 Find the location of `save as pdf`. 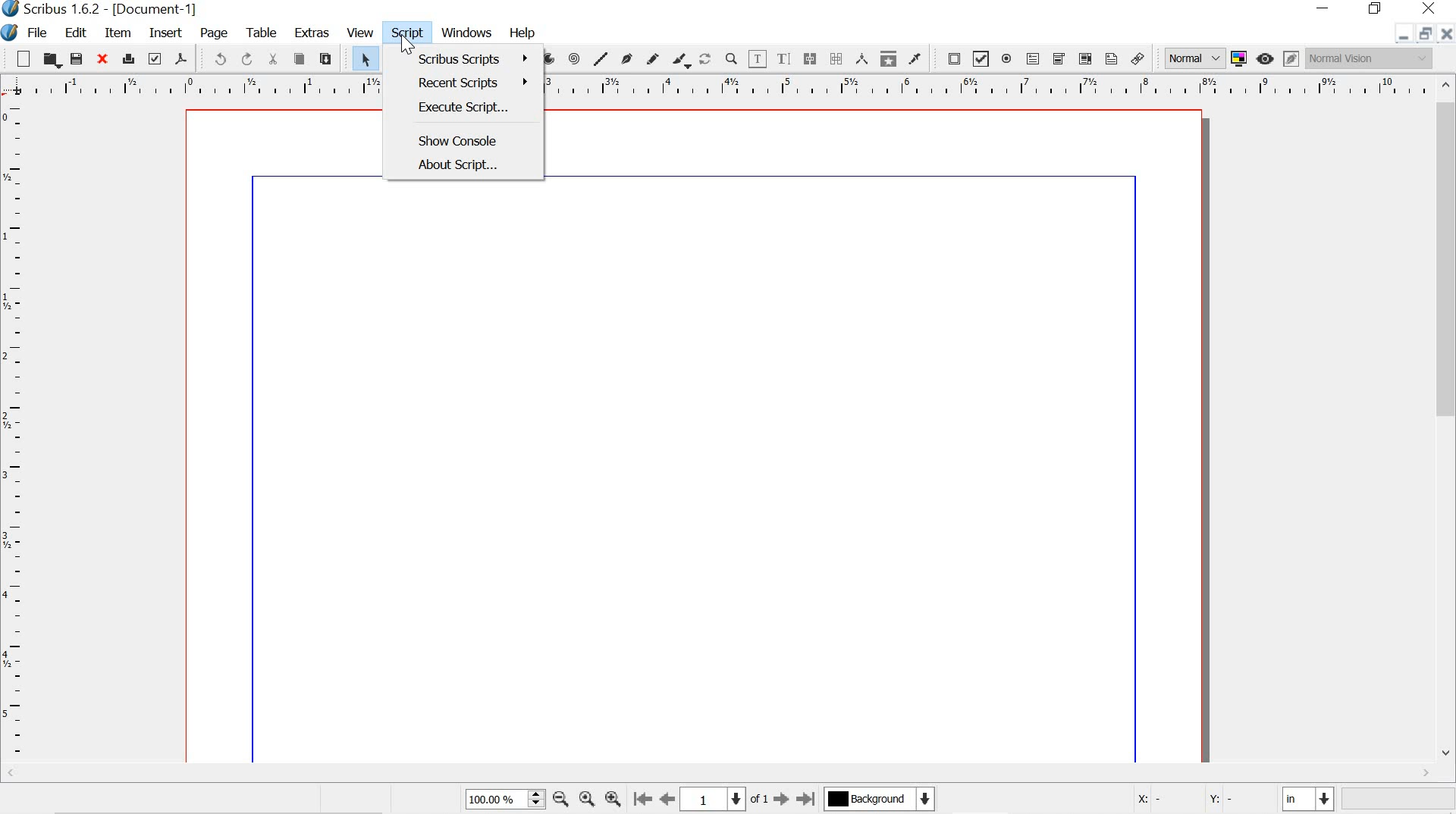

save as pdf is located at coordinates (183, 59).